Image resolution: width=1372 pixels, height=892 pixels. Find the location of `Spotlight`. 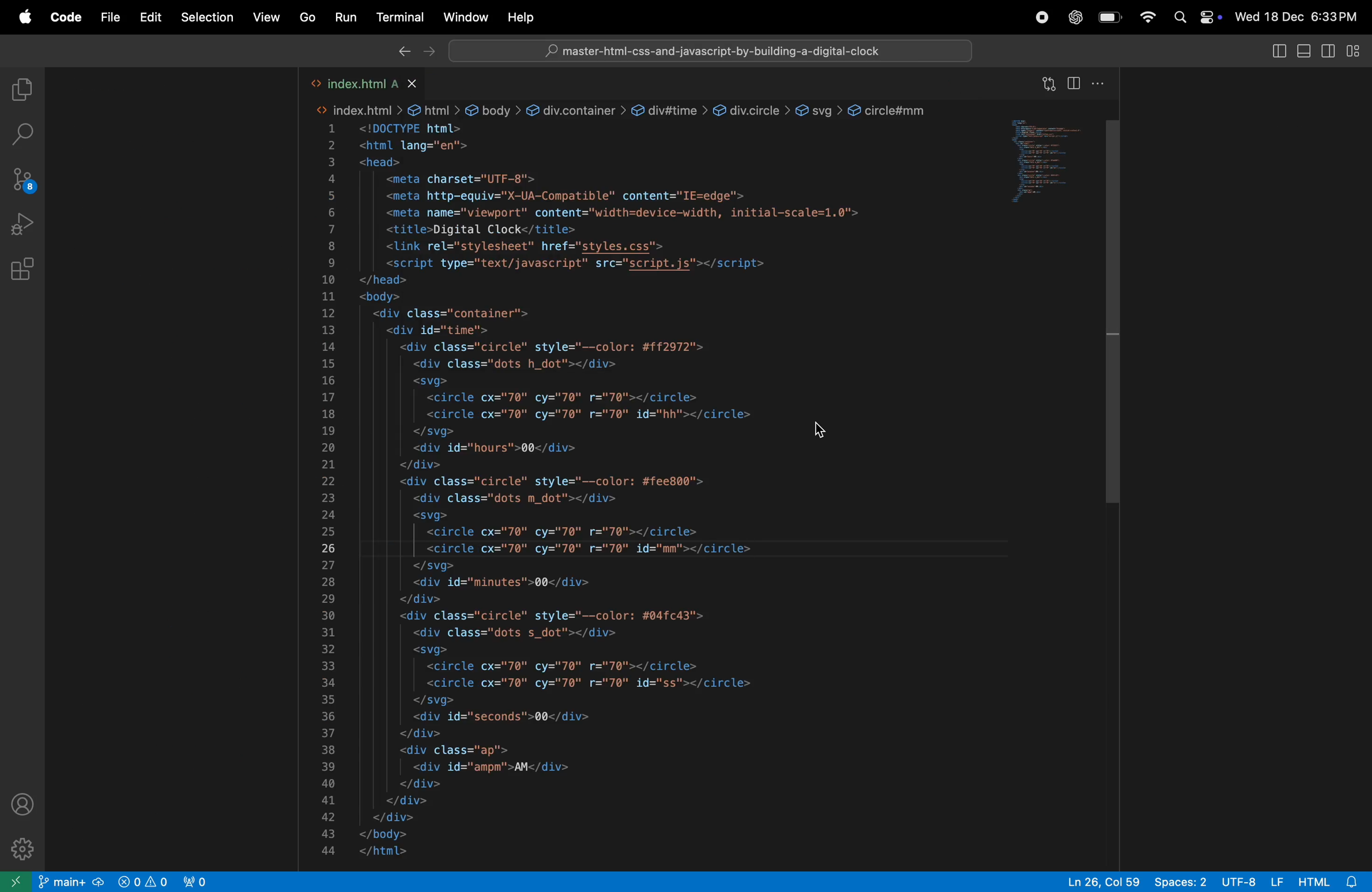

Spotlight is located at coordinates (1178, 18).